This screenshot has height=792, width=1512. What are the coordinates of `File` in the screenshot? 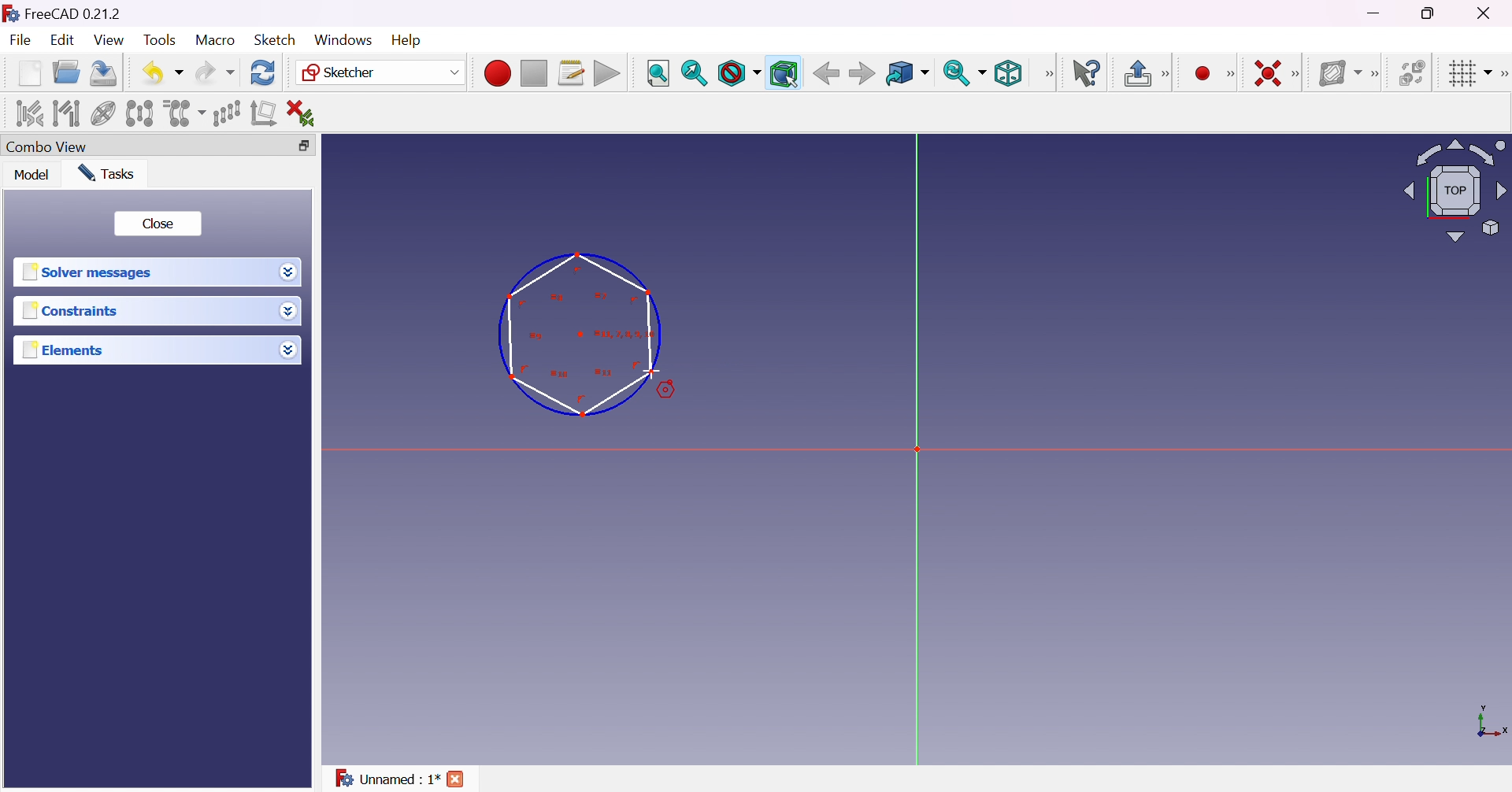 It's located at (20, 42).